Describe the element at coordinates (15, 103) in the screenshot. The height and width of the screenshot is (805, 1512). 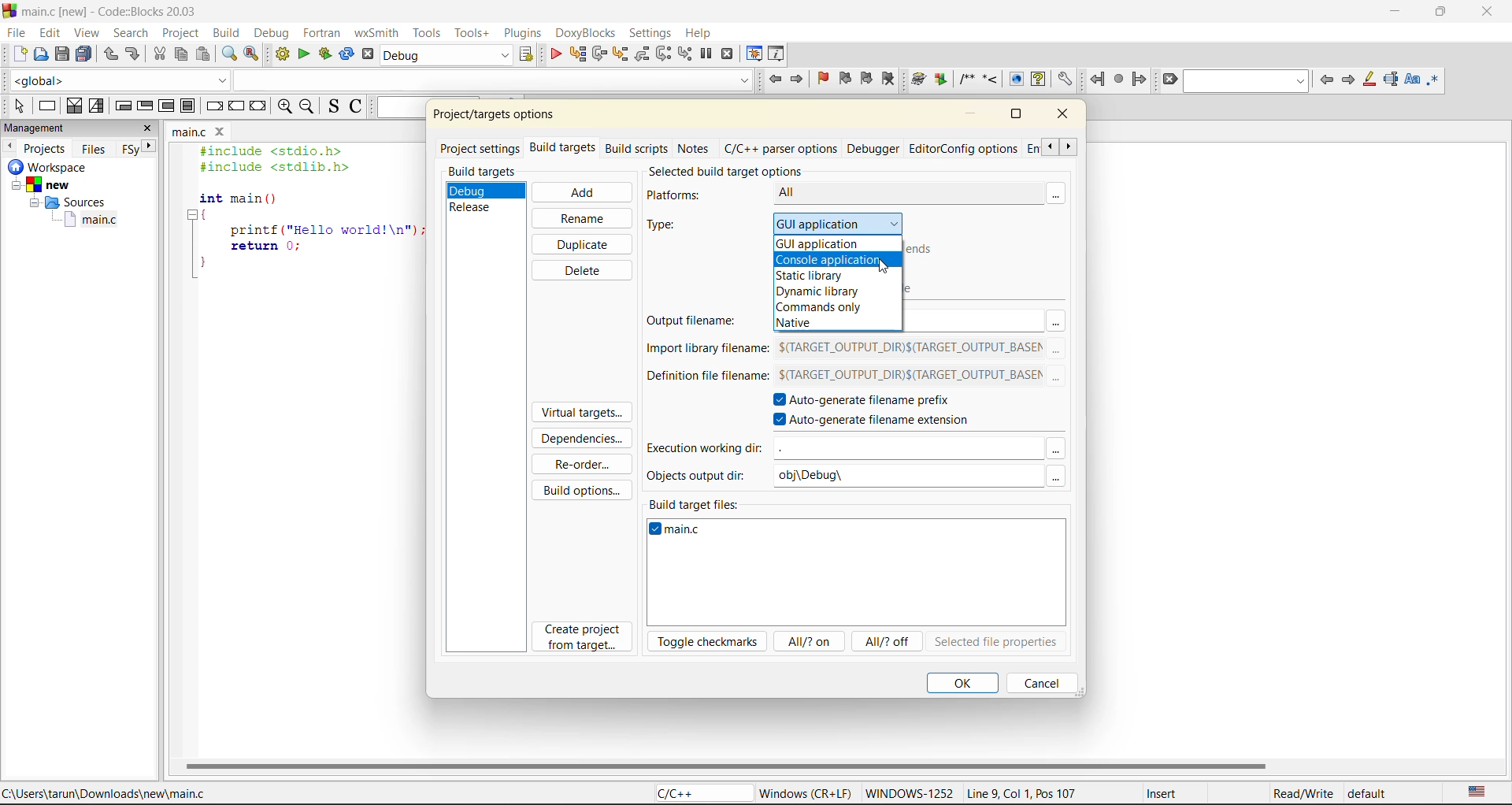
I see `select` at that location.